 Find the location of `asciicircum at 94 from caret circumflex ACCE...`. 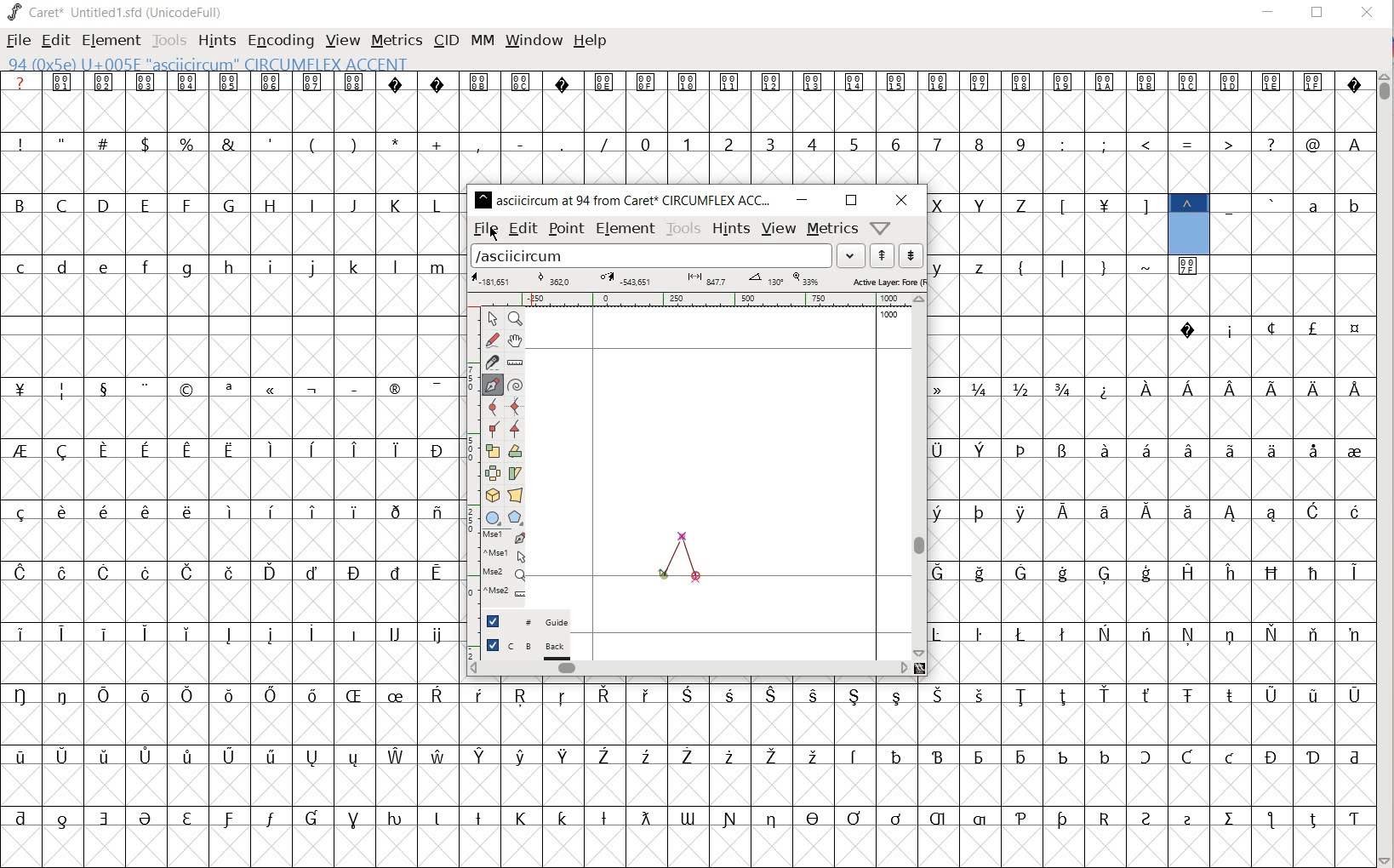

asciicircum at 94 from caret circumflex ACCE... is located at coordinates (626, 197).